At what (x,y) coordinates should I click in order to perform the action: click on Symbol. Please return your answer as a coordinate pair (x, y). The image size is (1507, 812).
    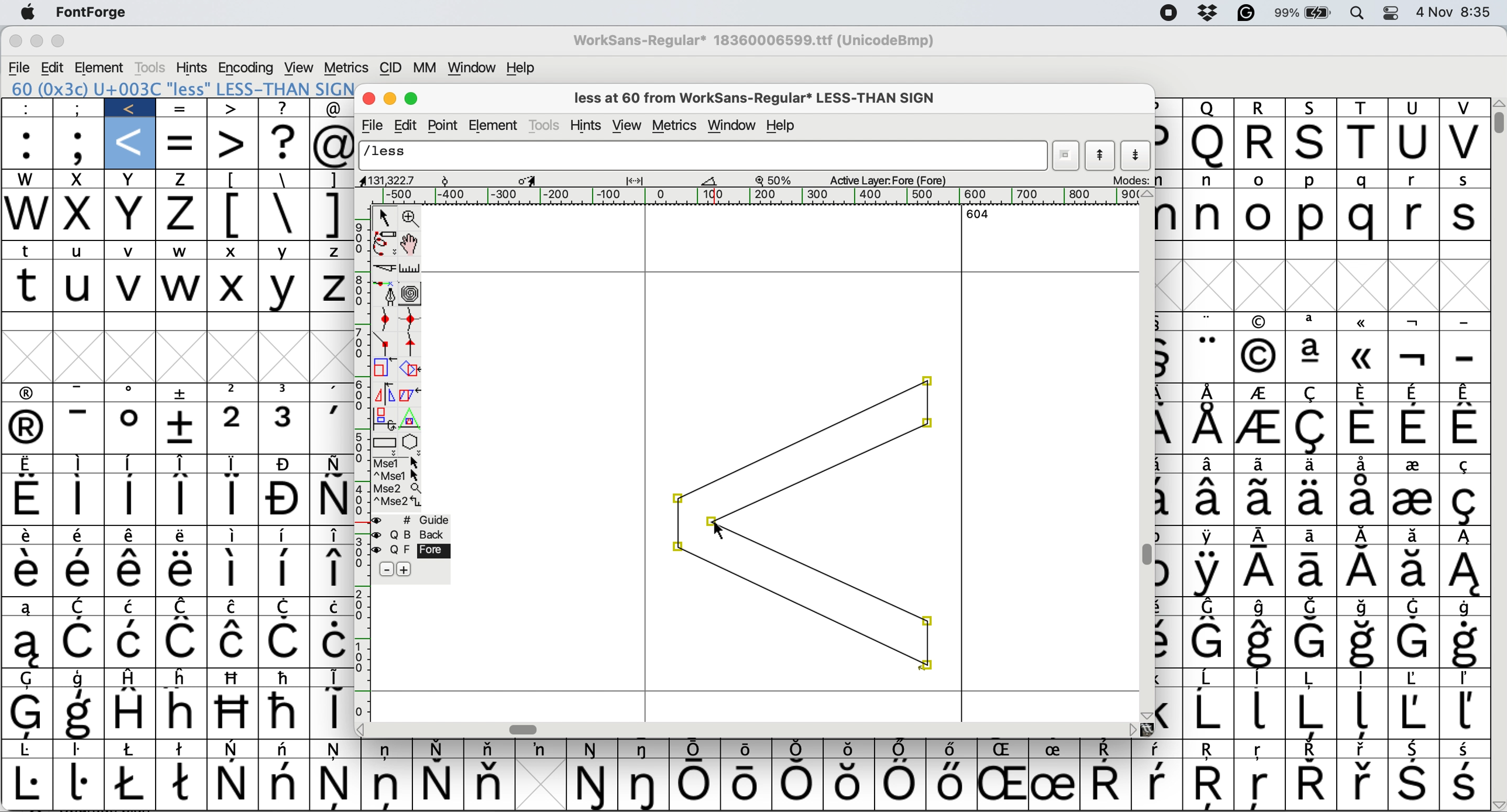
    Looking at the image, I should click on (1465, 679).